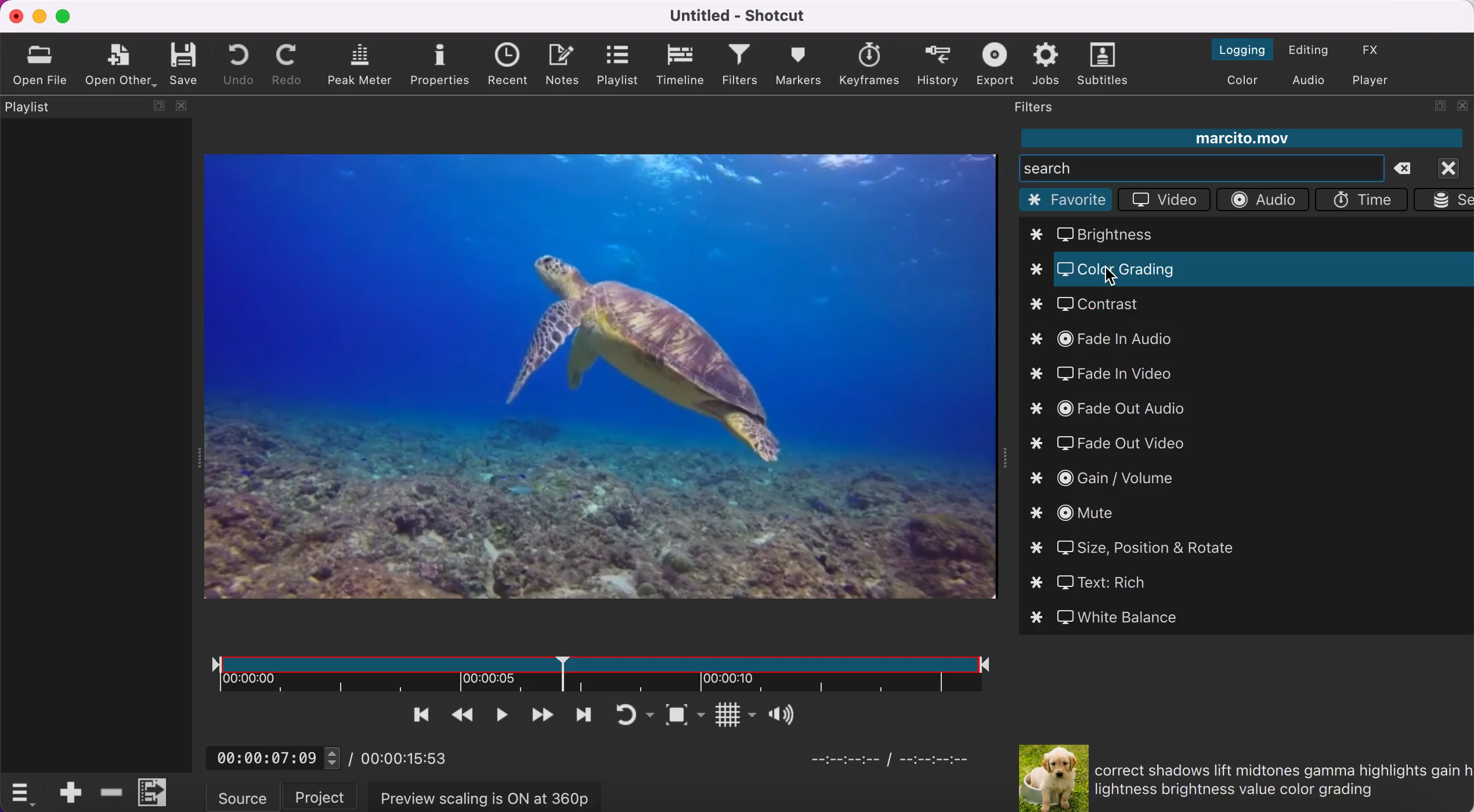 The width and height of the screenshot is (1474, 812). I want to click on undo, so click(237, 64).